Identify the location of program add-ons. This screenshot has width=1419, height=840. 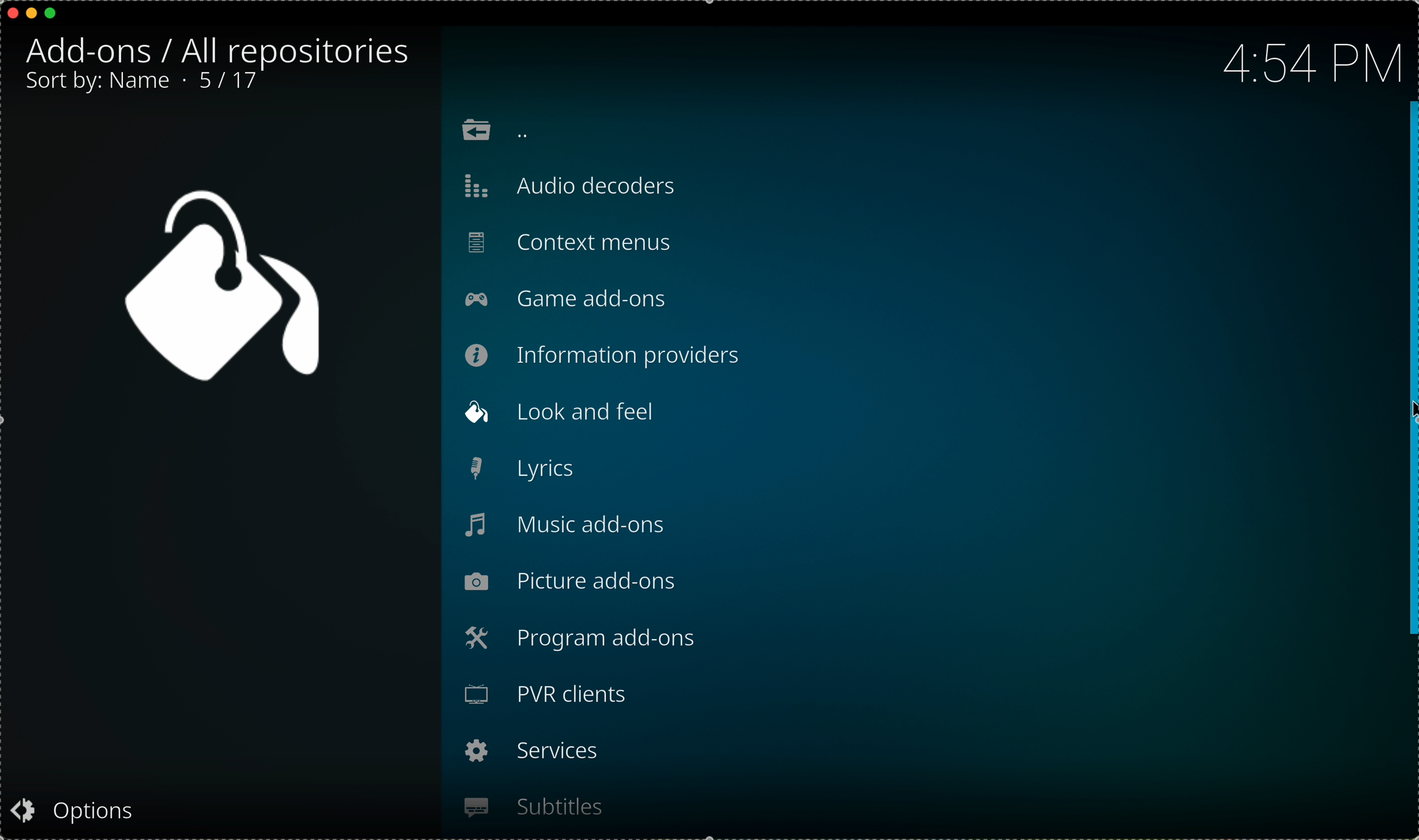
(583, 638).